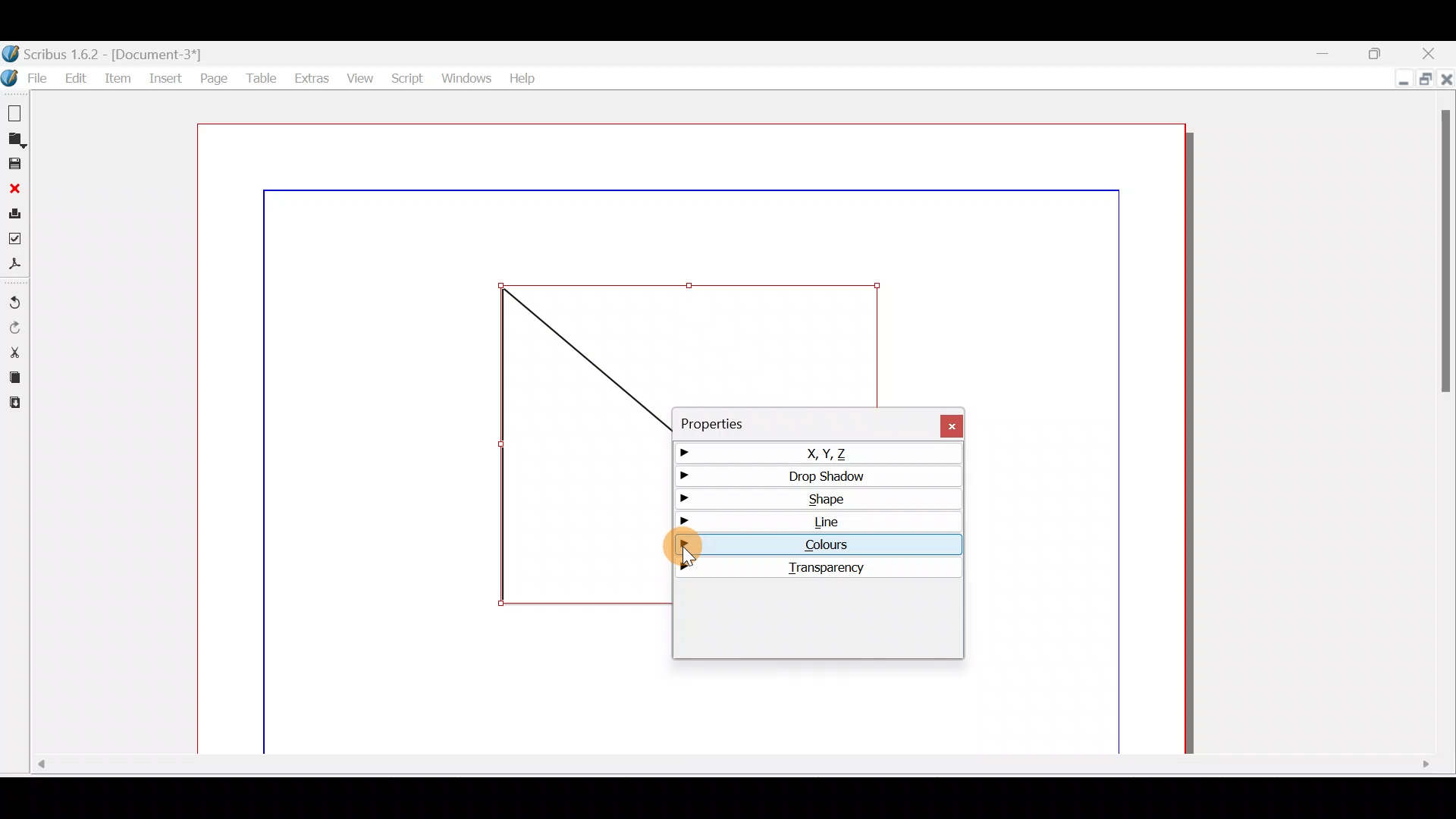 The height and width of the screenshot is (819, 1456). Describe the element at coordinates (818, 544) in the screenshot. I see `Colours` at that location.